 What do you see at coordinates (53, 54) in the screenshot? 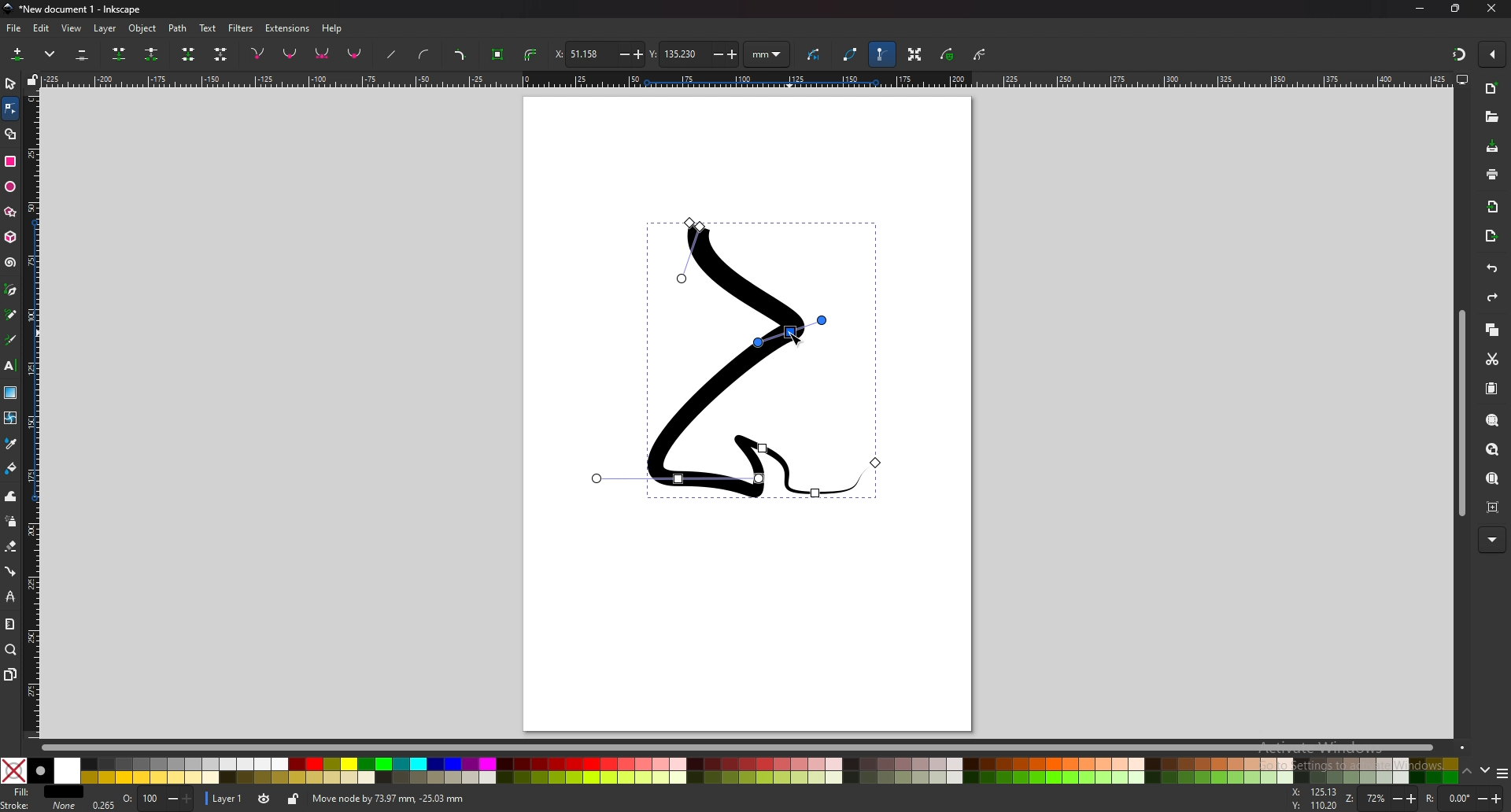
I see `more options` at bounding box center [53, 54].